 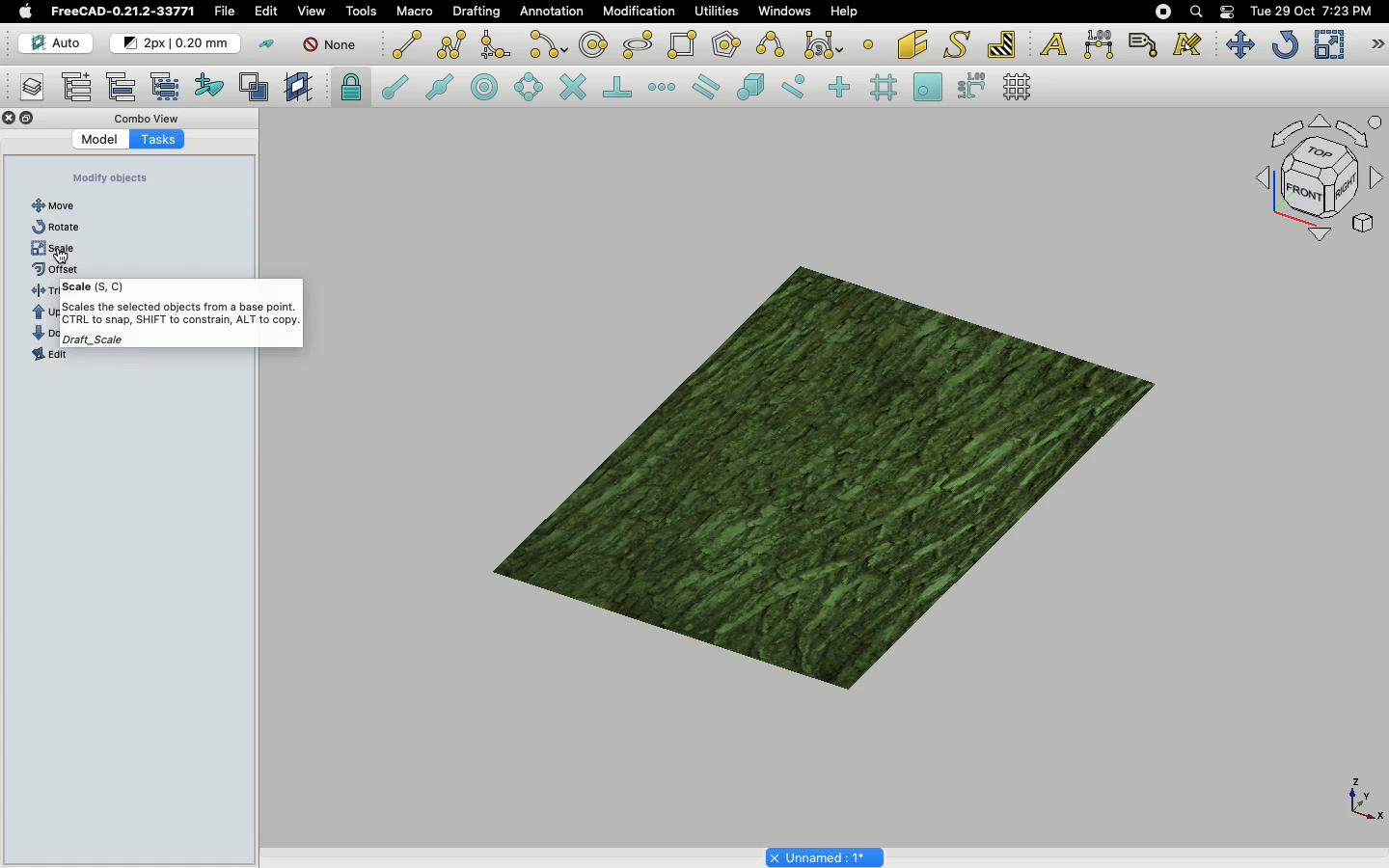 What do you see at coordinates (681, 44) in the screenshot?
I see `Rectangle` at bounding box center [681, 44].